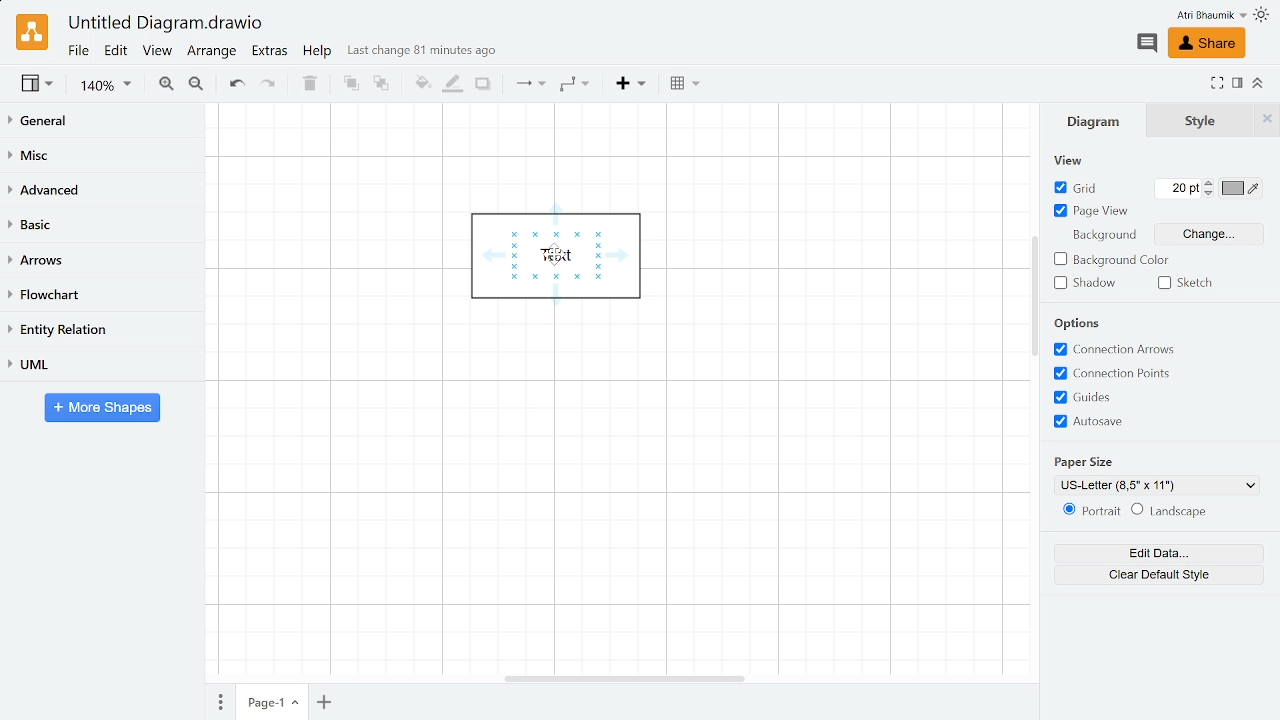  Describe the element at coordinates (1203, 44) in the screenshot. I see `Share` at that location.